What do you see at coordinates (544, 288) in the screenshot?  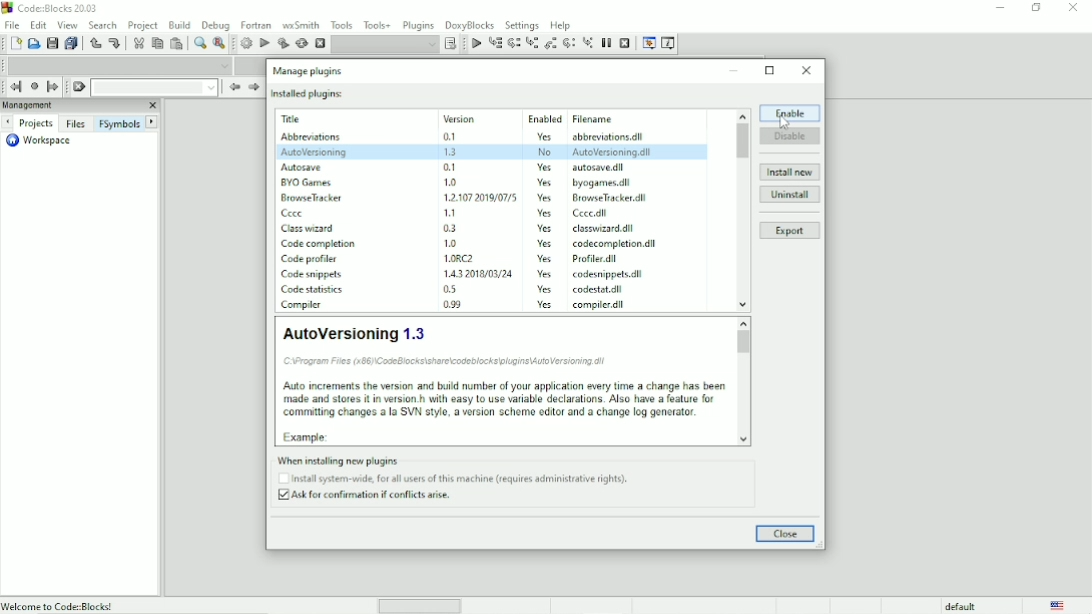 I see `Yes` at bounding box center [544, 288].